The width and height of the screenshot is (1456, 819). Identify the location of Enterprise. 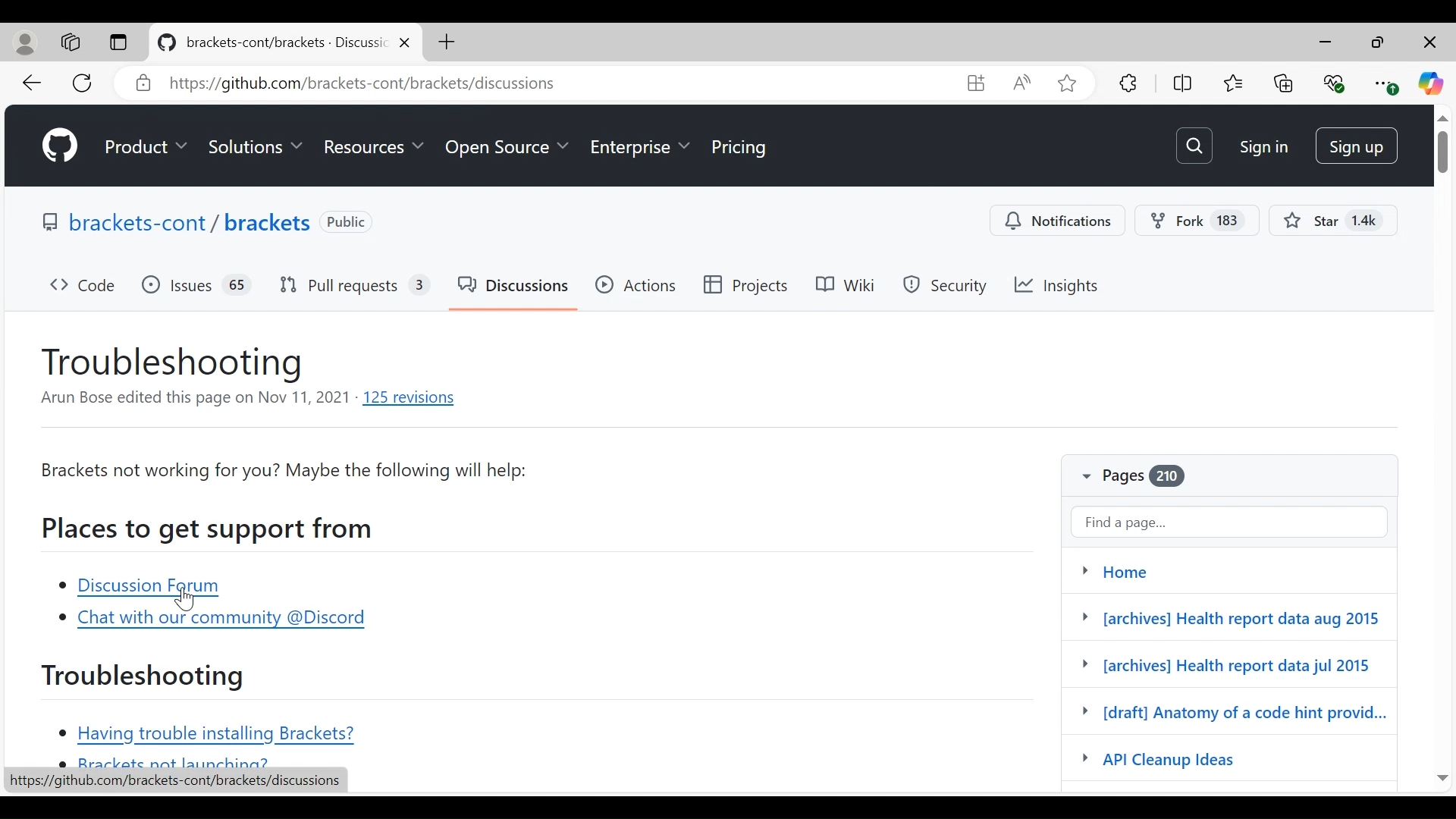
(640, 151).